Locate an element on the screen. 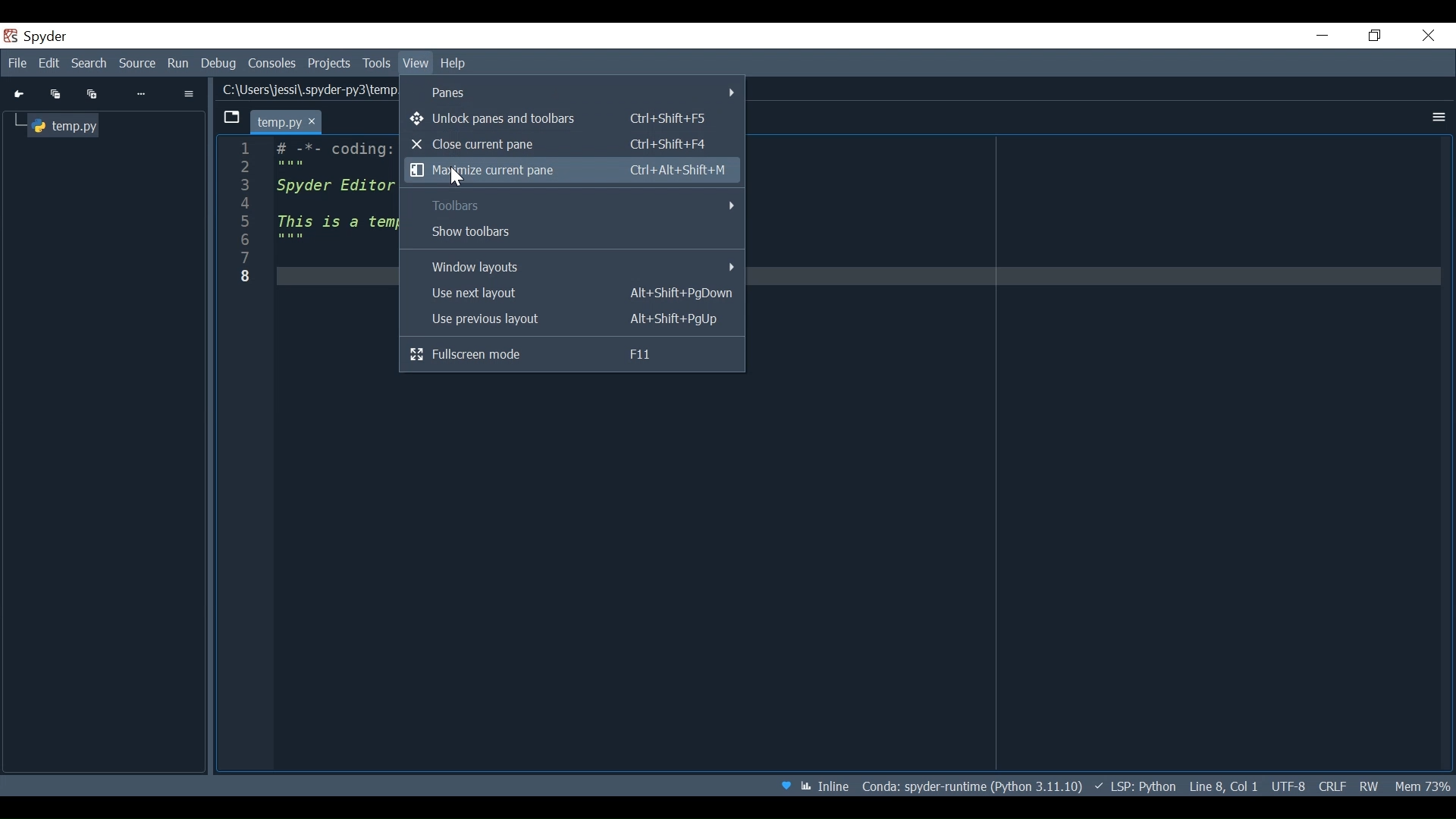 This screenshot has width=1456, height=819. Inline is located at coordinates (827, 786).